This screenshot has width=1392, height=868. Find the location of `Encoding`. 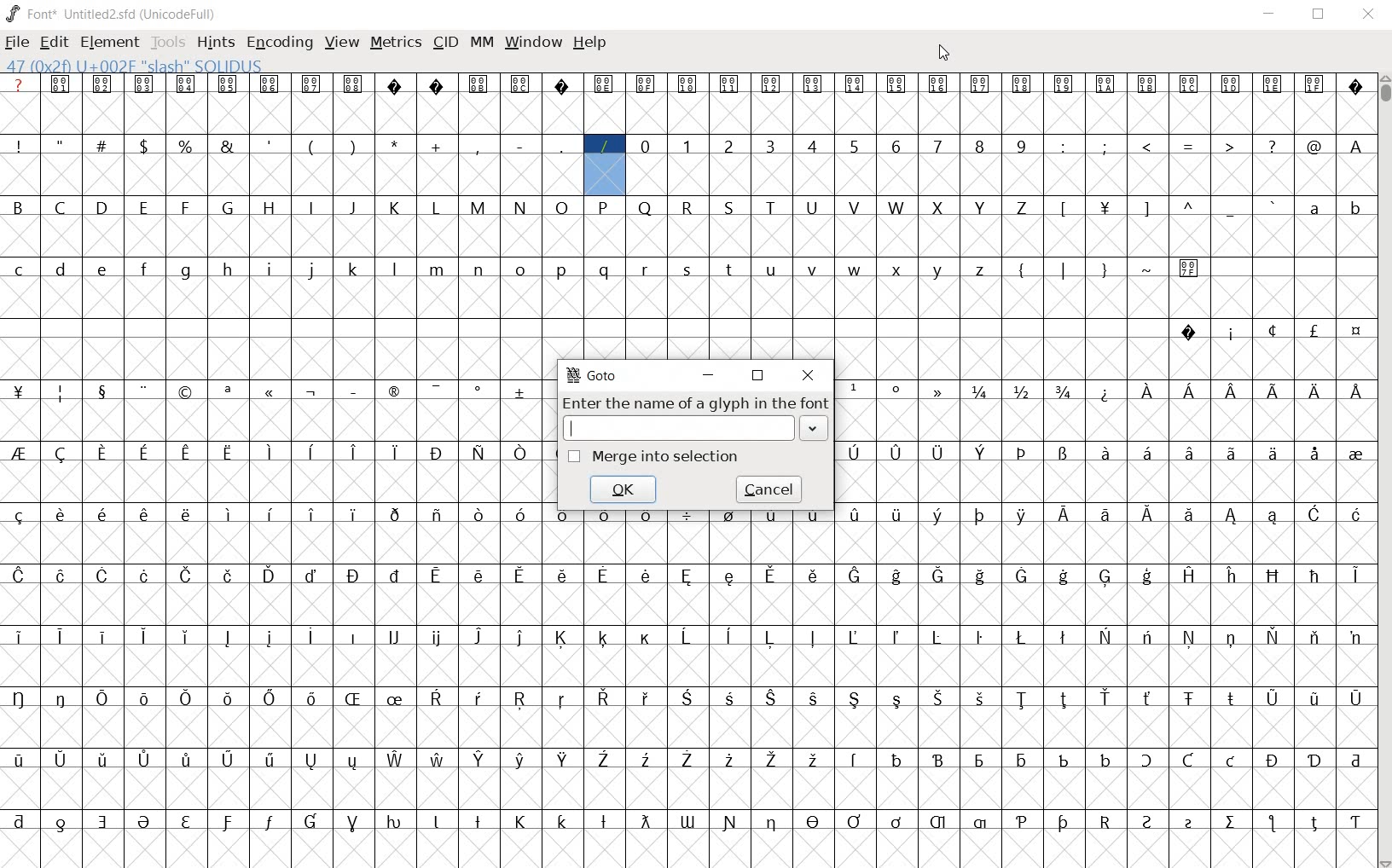

Encoding is located at coordinates (181, 12).